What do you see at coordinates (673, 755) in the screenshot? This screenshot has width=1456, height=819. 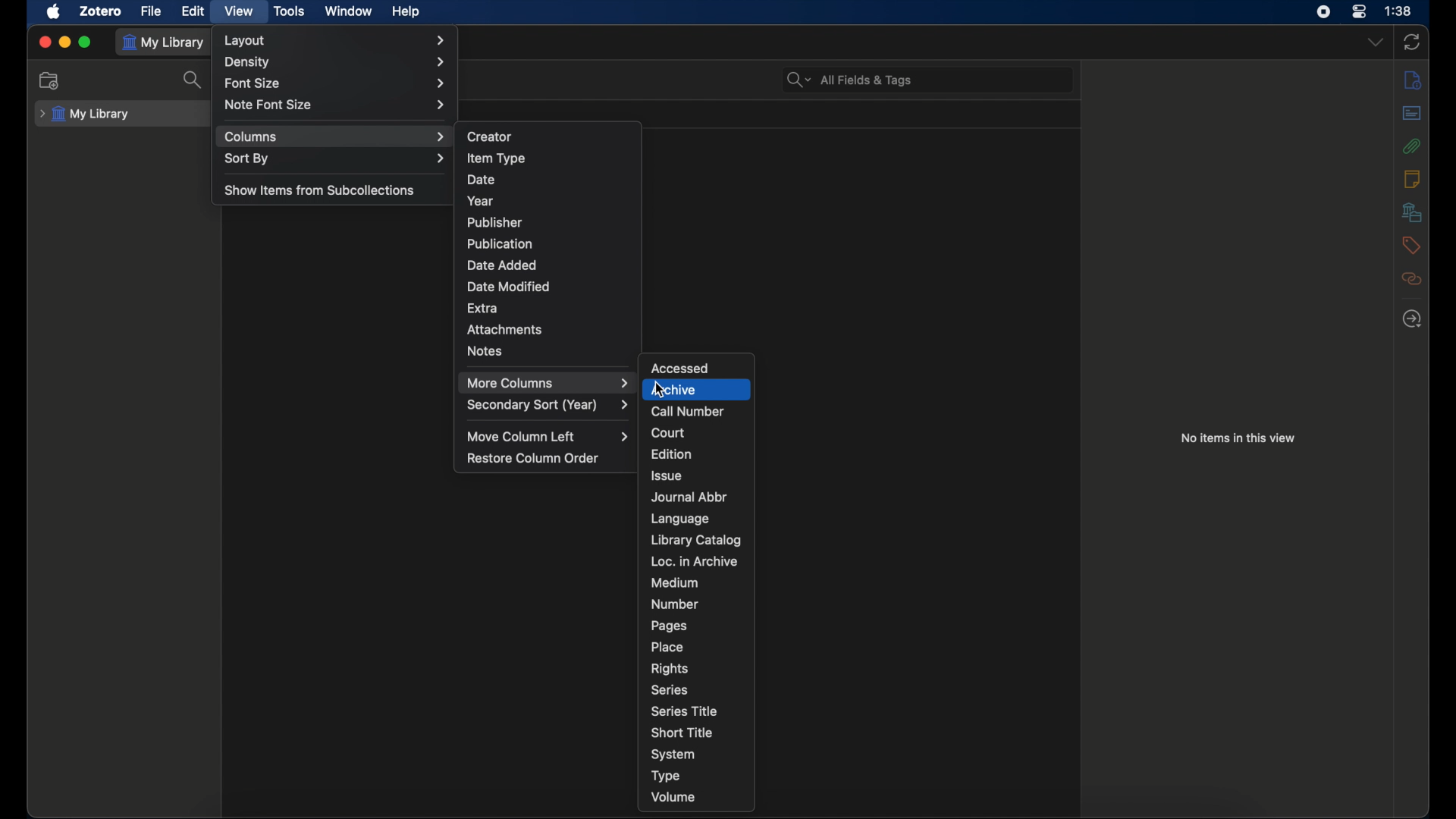 I see `system` at bounding box center [673, 755].